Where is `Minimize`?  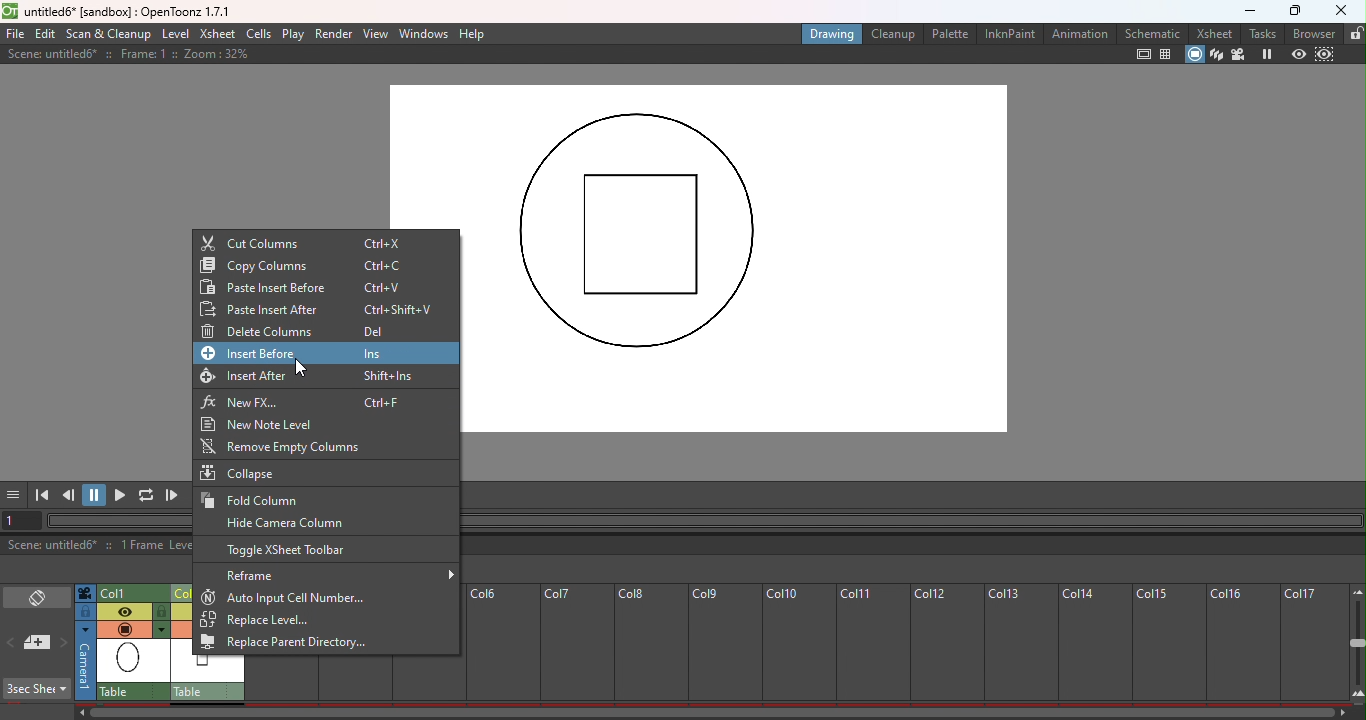 Minimize is located at coordinates (1245, 11).